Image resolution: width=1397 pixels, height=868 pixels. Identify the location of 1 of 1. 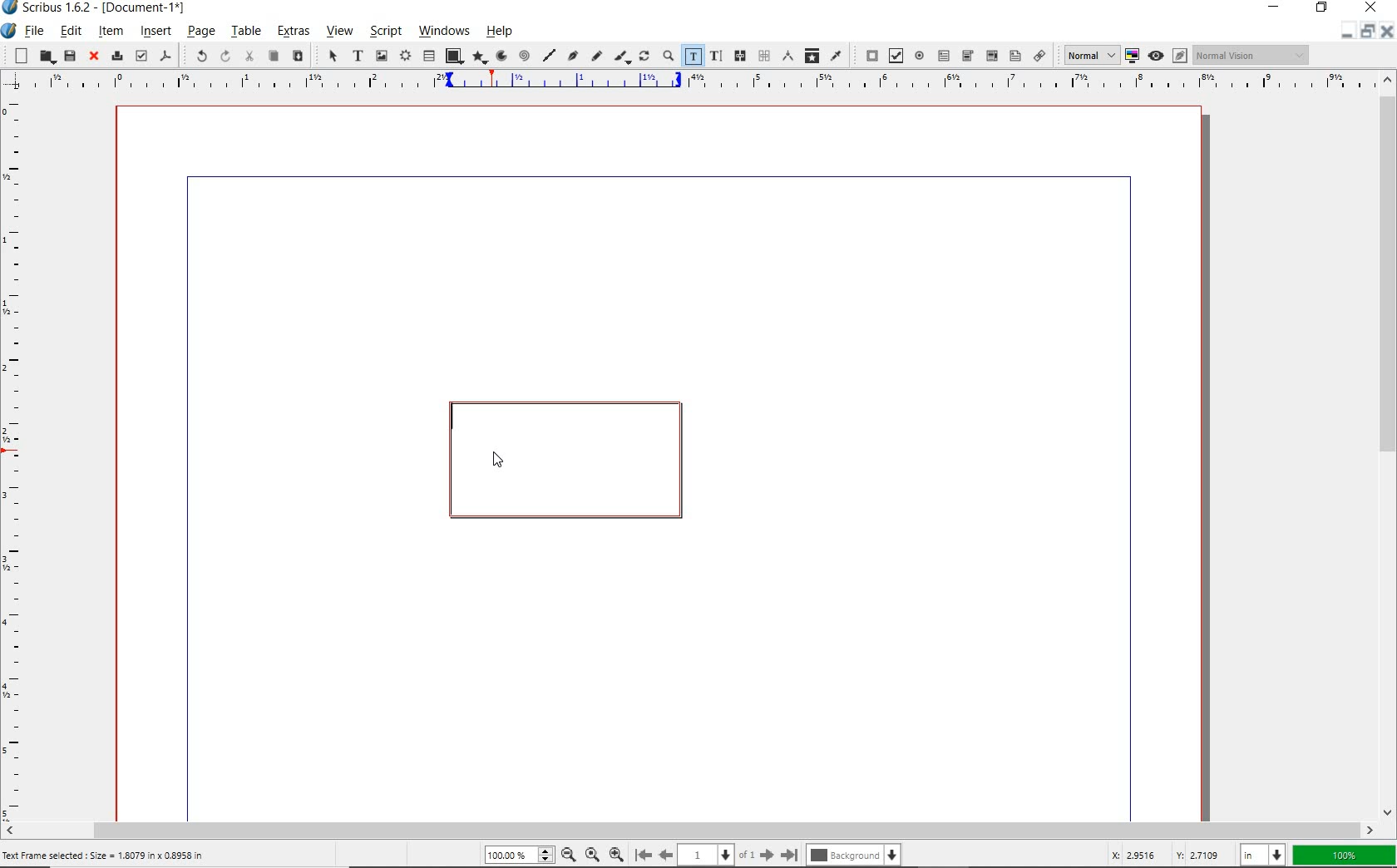
(719, 856).